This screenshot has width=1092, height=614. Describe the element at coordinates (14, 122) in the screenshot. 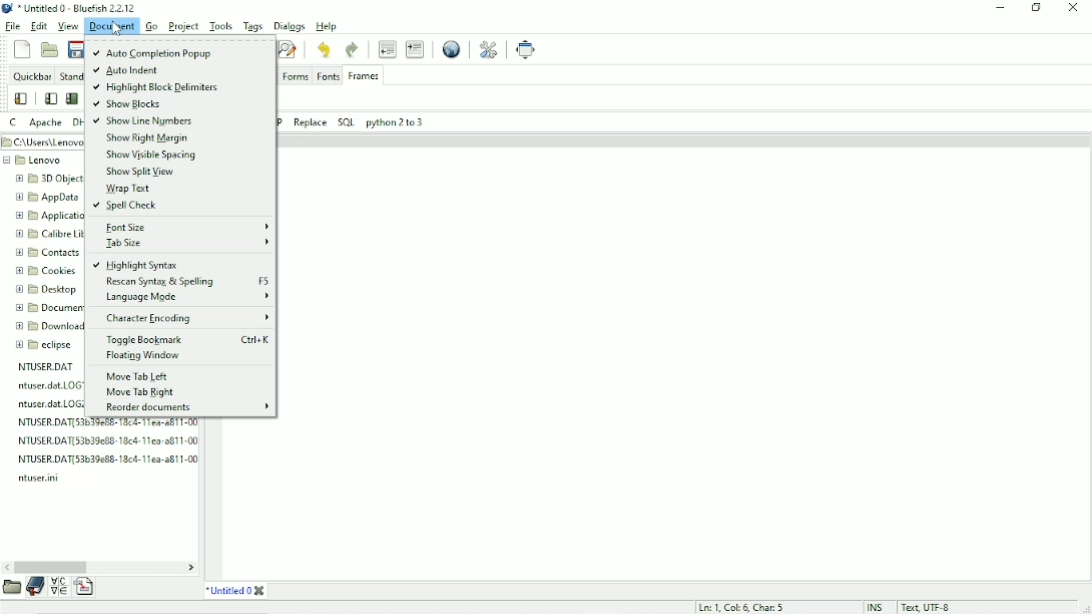

I see `C` at that location.